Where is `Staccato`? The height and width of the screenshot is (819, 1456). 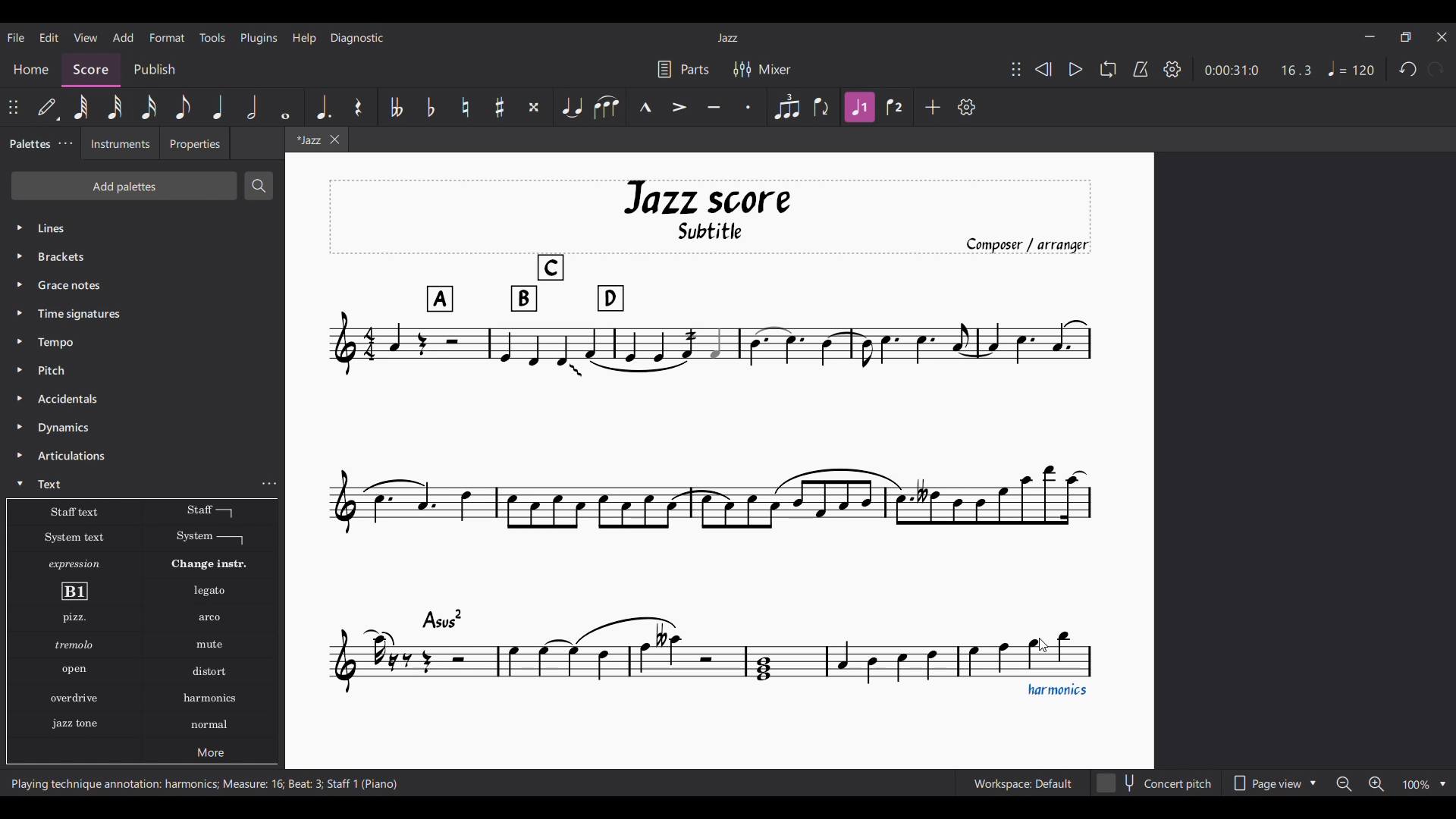 Staccato is located at coordinates (749, 107).